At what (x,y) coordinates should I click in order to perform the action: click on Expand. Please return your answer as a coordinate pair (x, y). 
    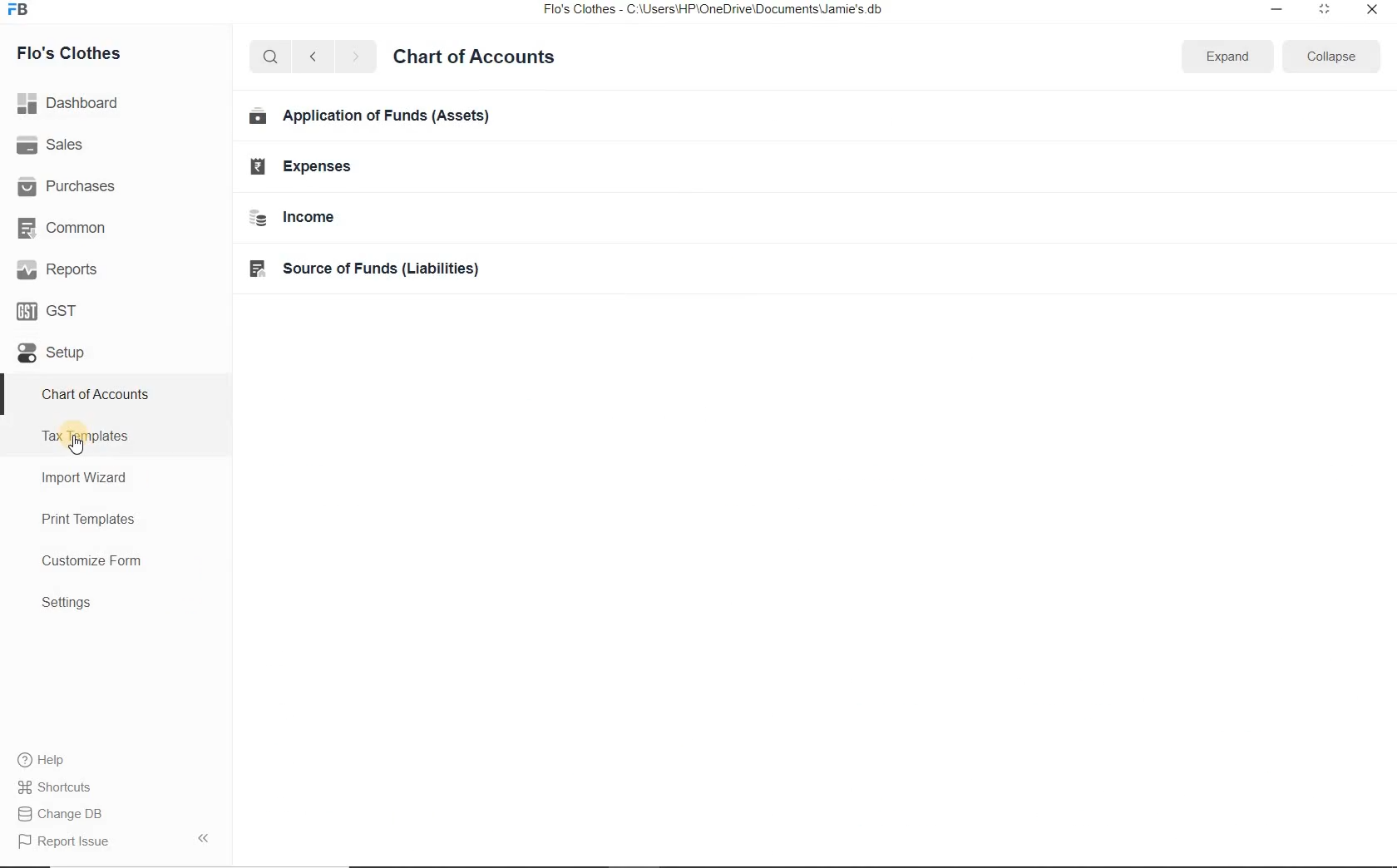
    Looking at the image, I should click on (1229, 55).